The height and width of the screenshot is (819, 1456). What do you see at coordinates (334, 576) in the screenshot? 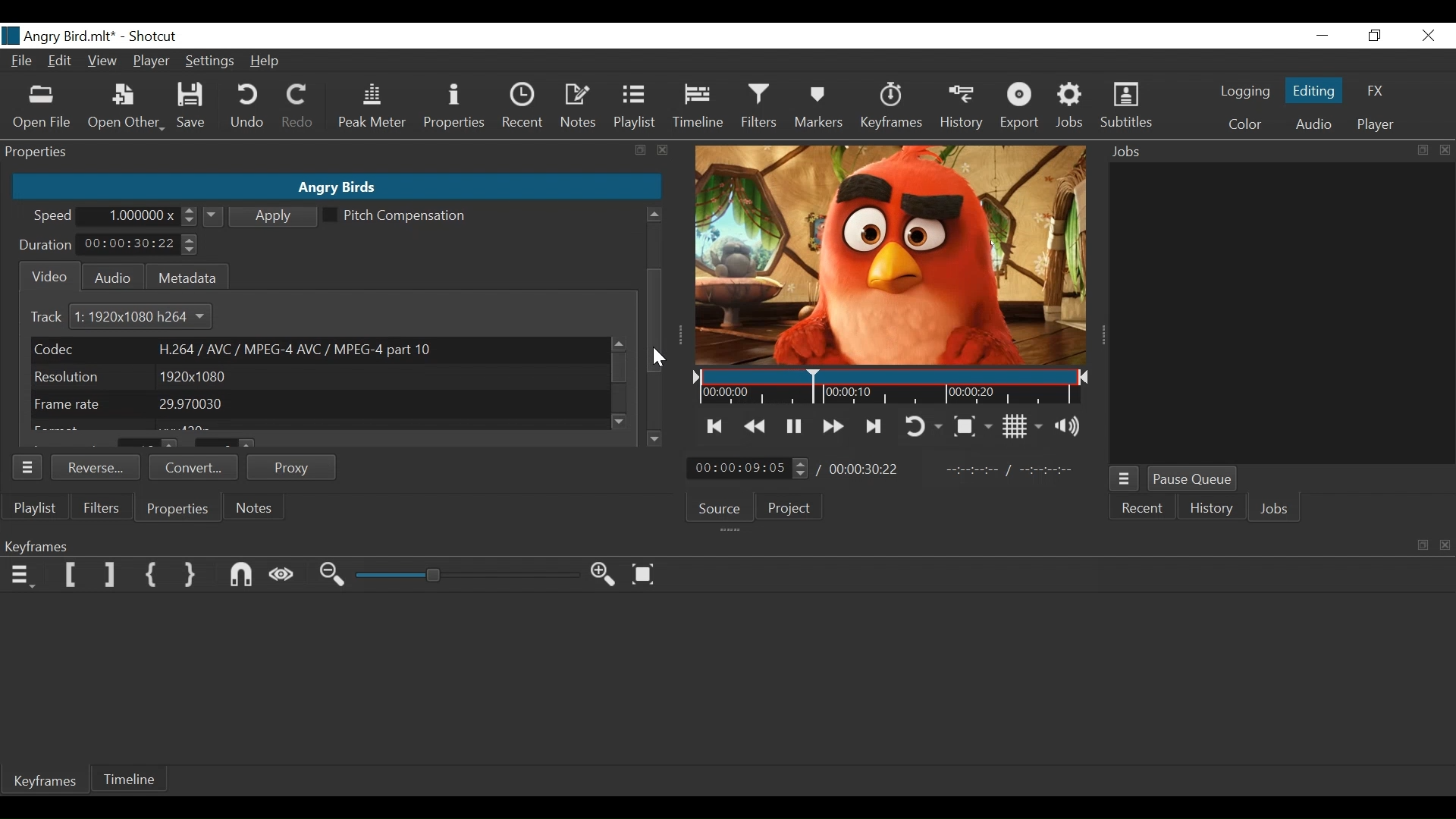
I see `Zoom keyframe out` at bounding box center [334, 576].